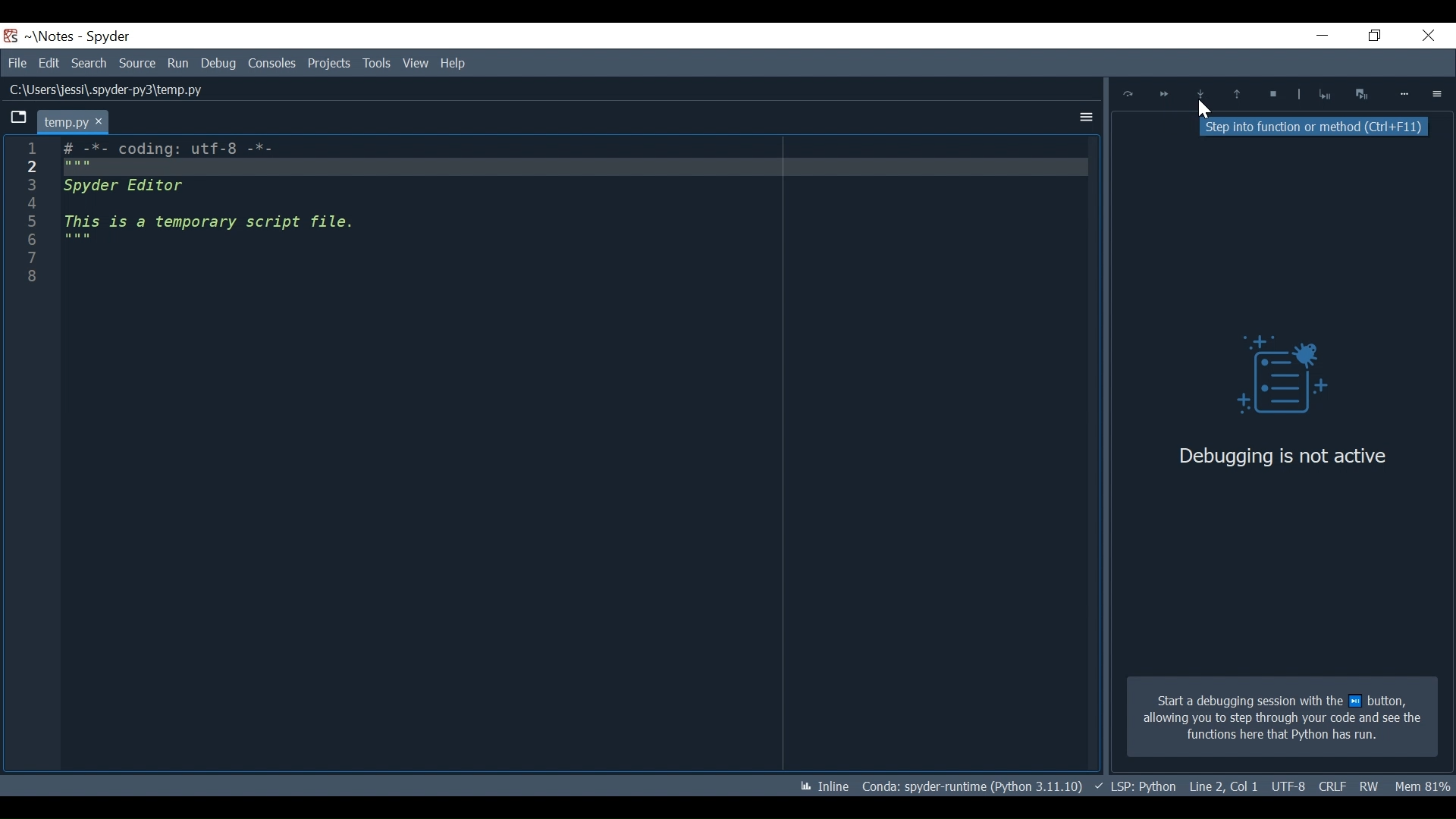 This screenshot has width=1456, height=819. I want to click on Help, so click(414, 64).